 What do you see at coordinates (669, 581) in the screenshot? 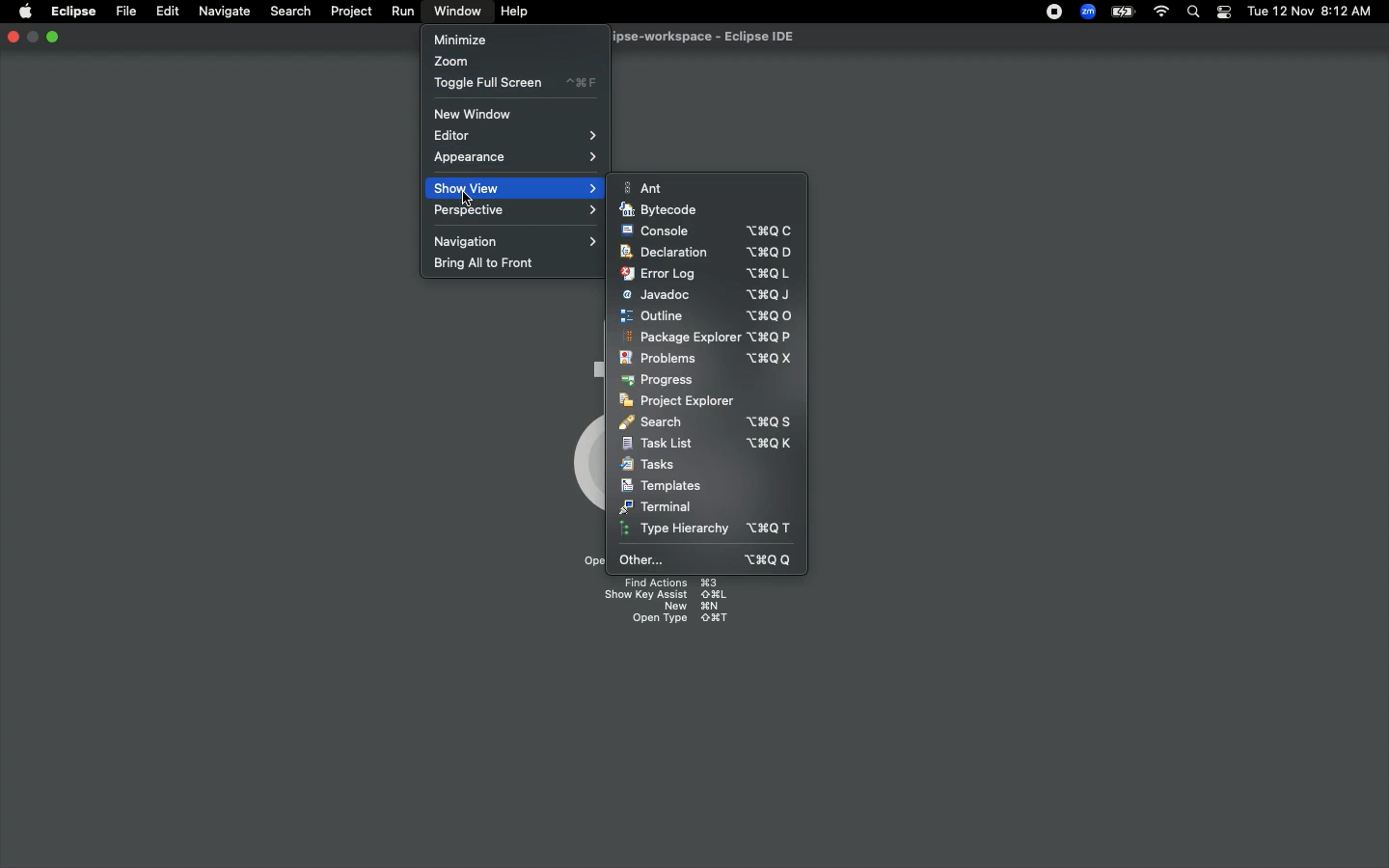
I see `Find actions` at bounding box center [669, 581].